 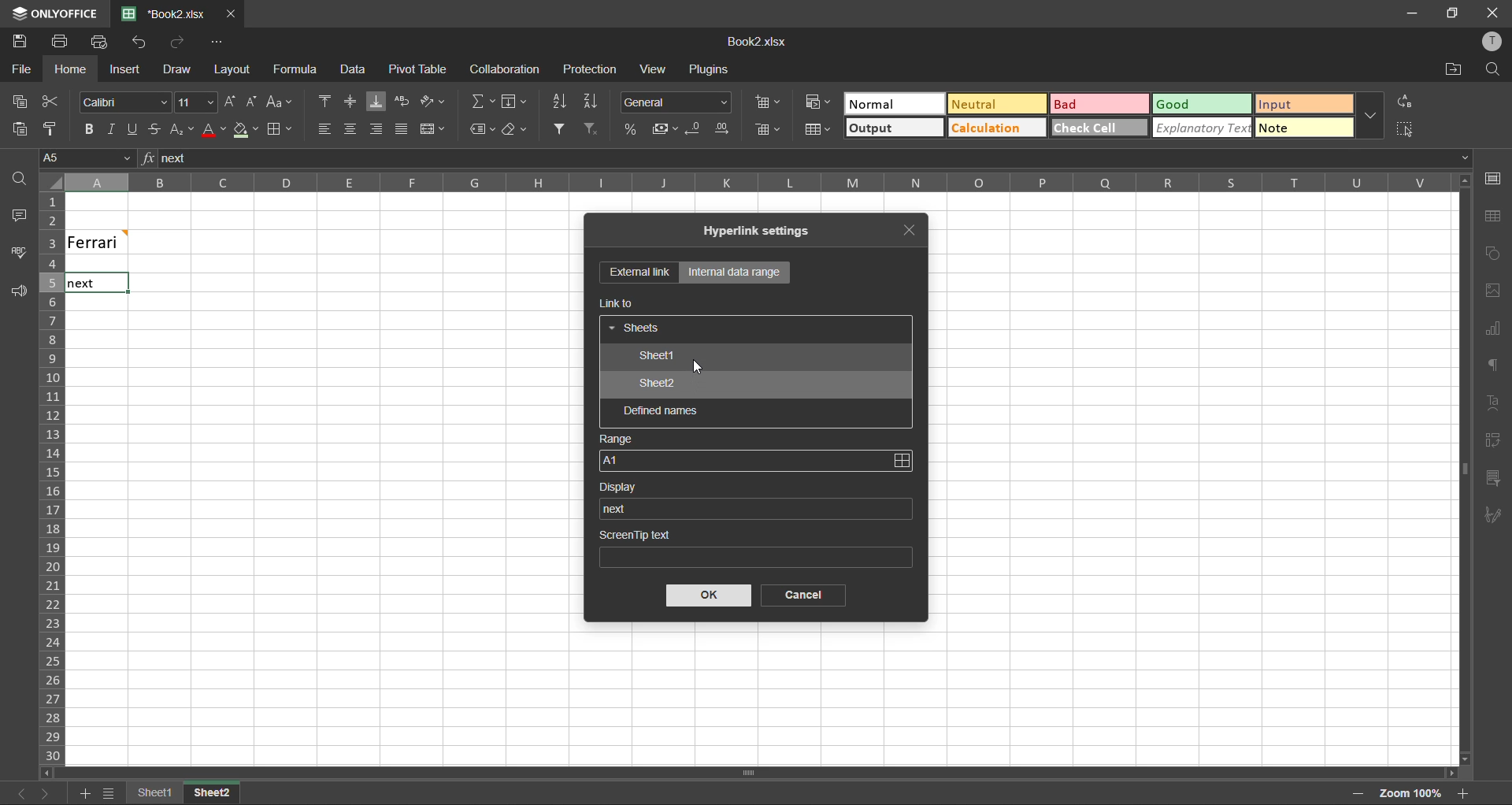 What do you see at coordinates (246, 134) in the screenshot?
I see `fill color` at bounding box center [246, 134].